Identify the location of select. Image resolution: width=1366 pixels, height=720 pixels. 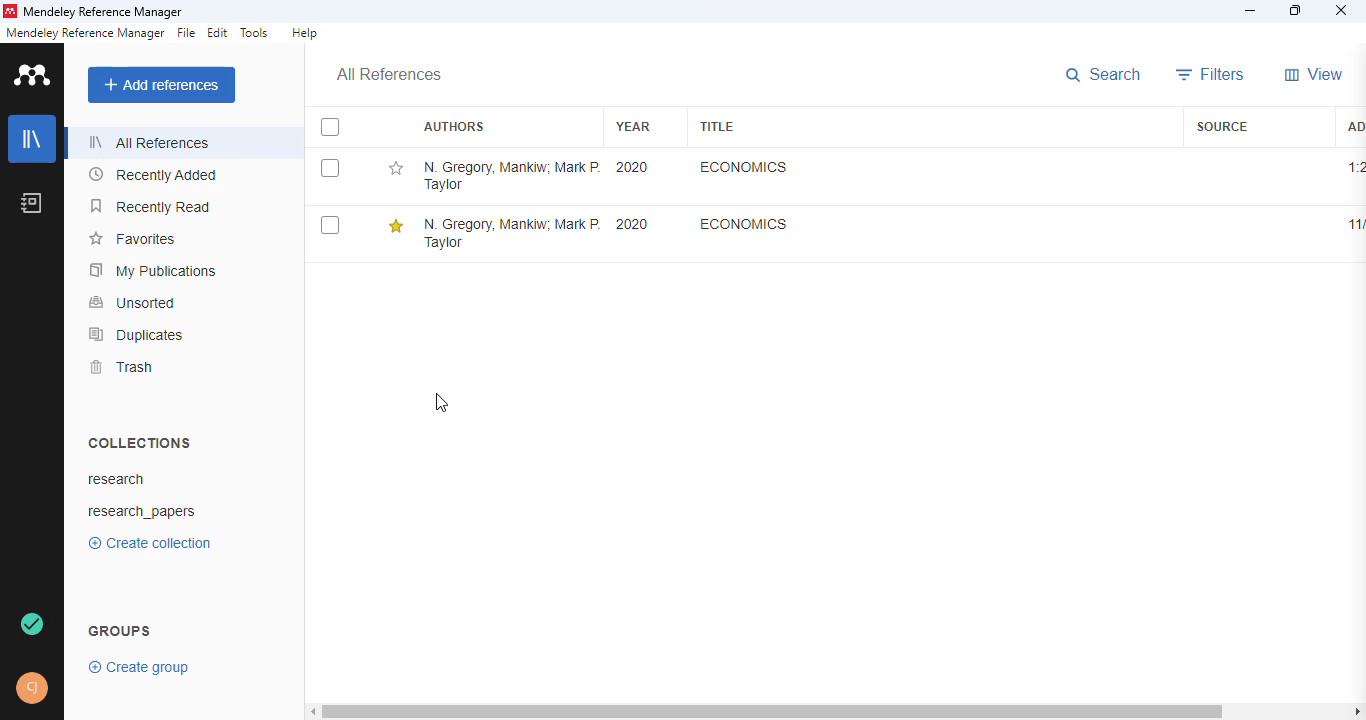
(331, 128).